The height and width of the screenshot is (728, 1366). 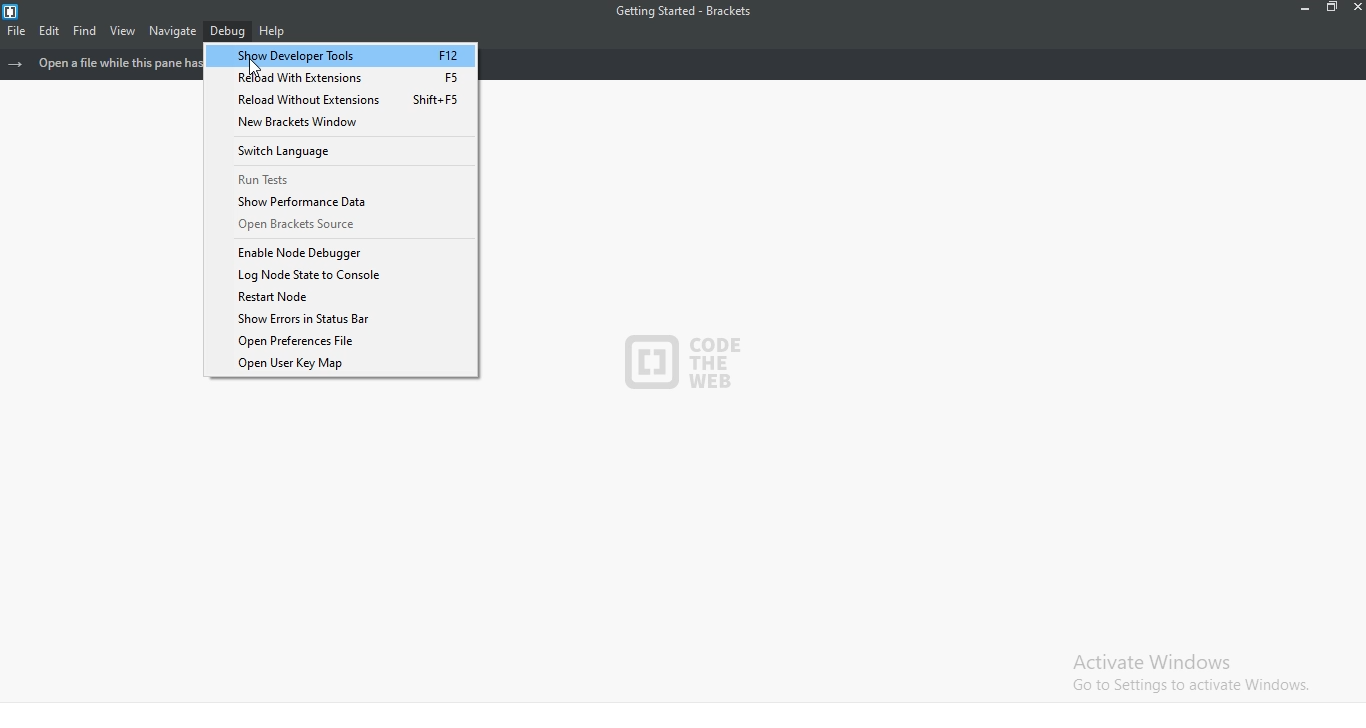 What do you see at coordinates (338, 251) in the screenshot?
I see `Enable Node Debugger` at bounding box center [338, 251].